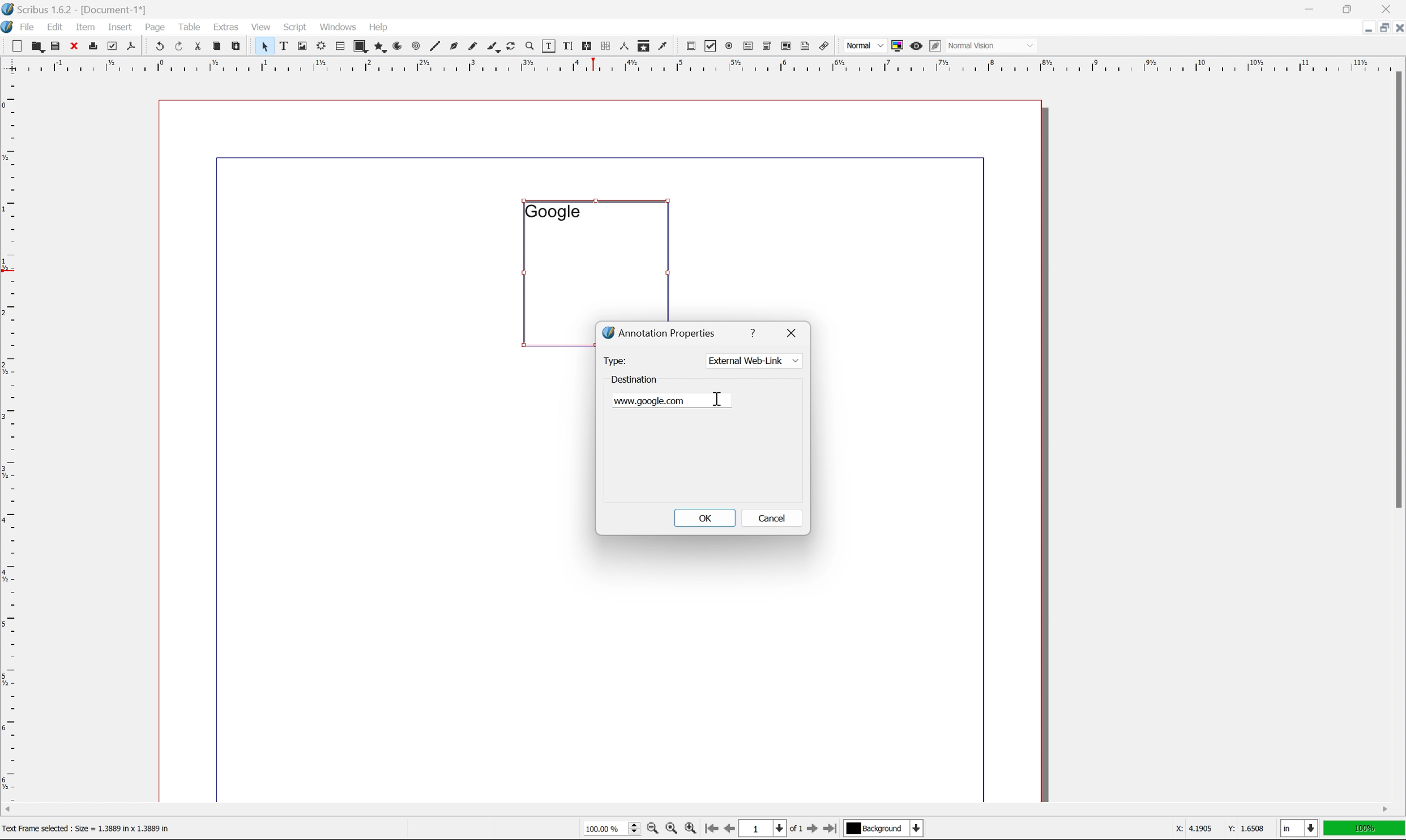 The height and width of the screenshot is (840, 1406). Describe the element at coordinates (1396, 289) in the screenshot. I see `scroll bar` at that location.